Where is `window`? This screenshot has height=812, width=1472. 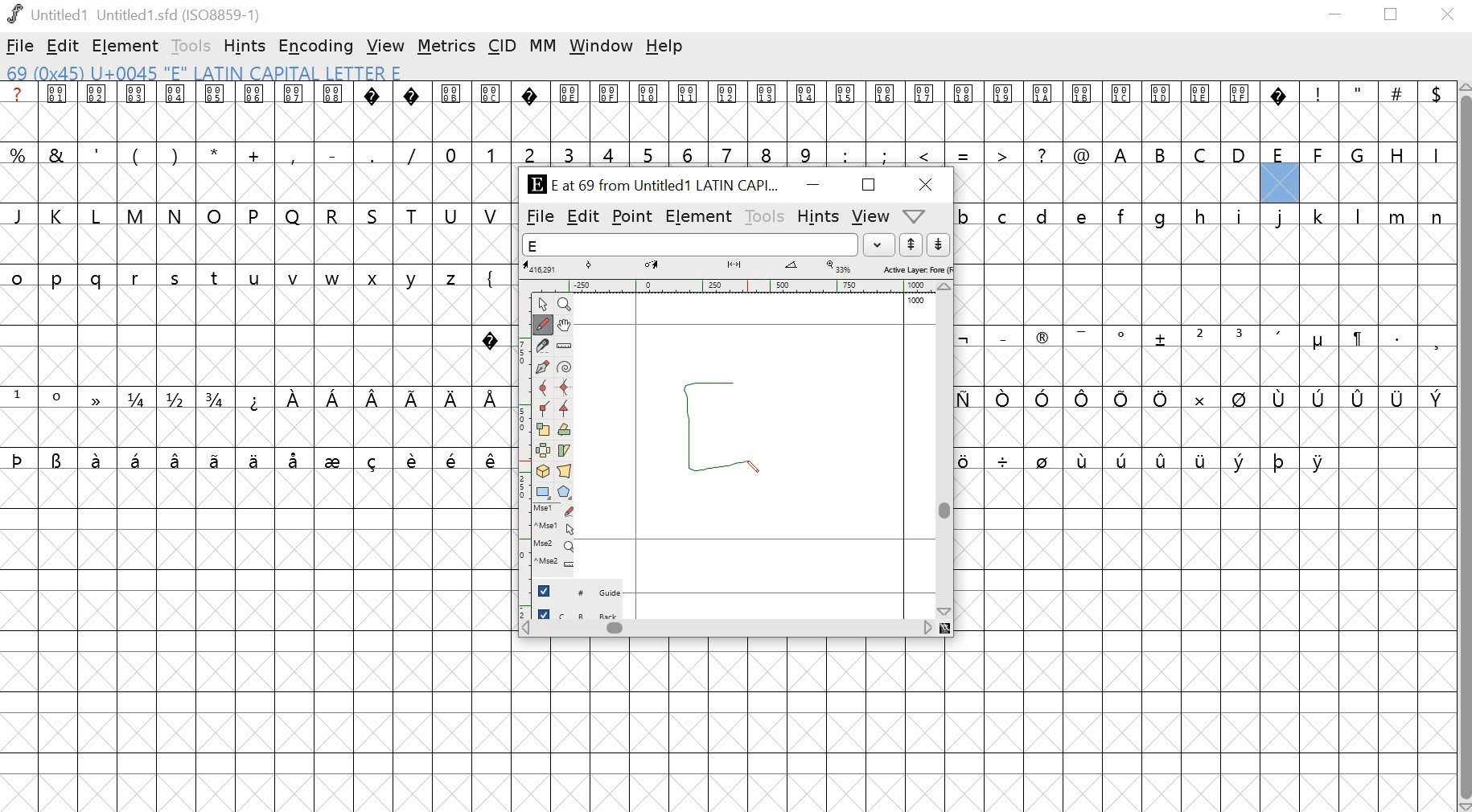
window is located at coordinates (599, 45).